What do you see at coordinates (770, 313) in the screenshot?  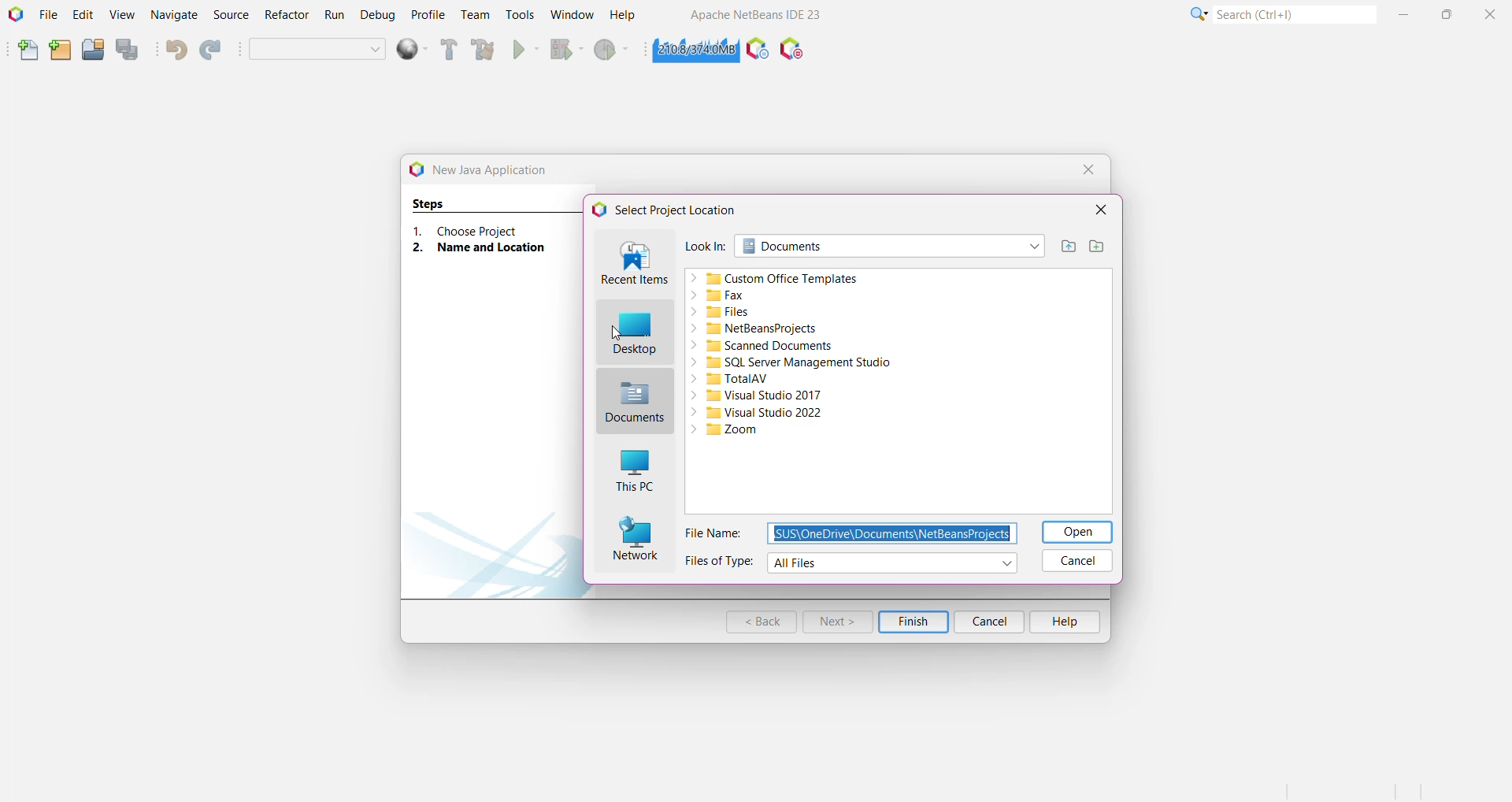 I see `Files` at bounding box center [770, 313].